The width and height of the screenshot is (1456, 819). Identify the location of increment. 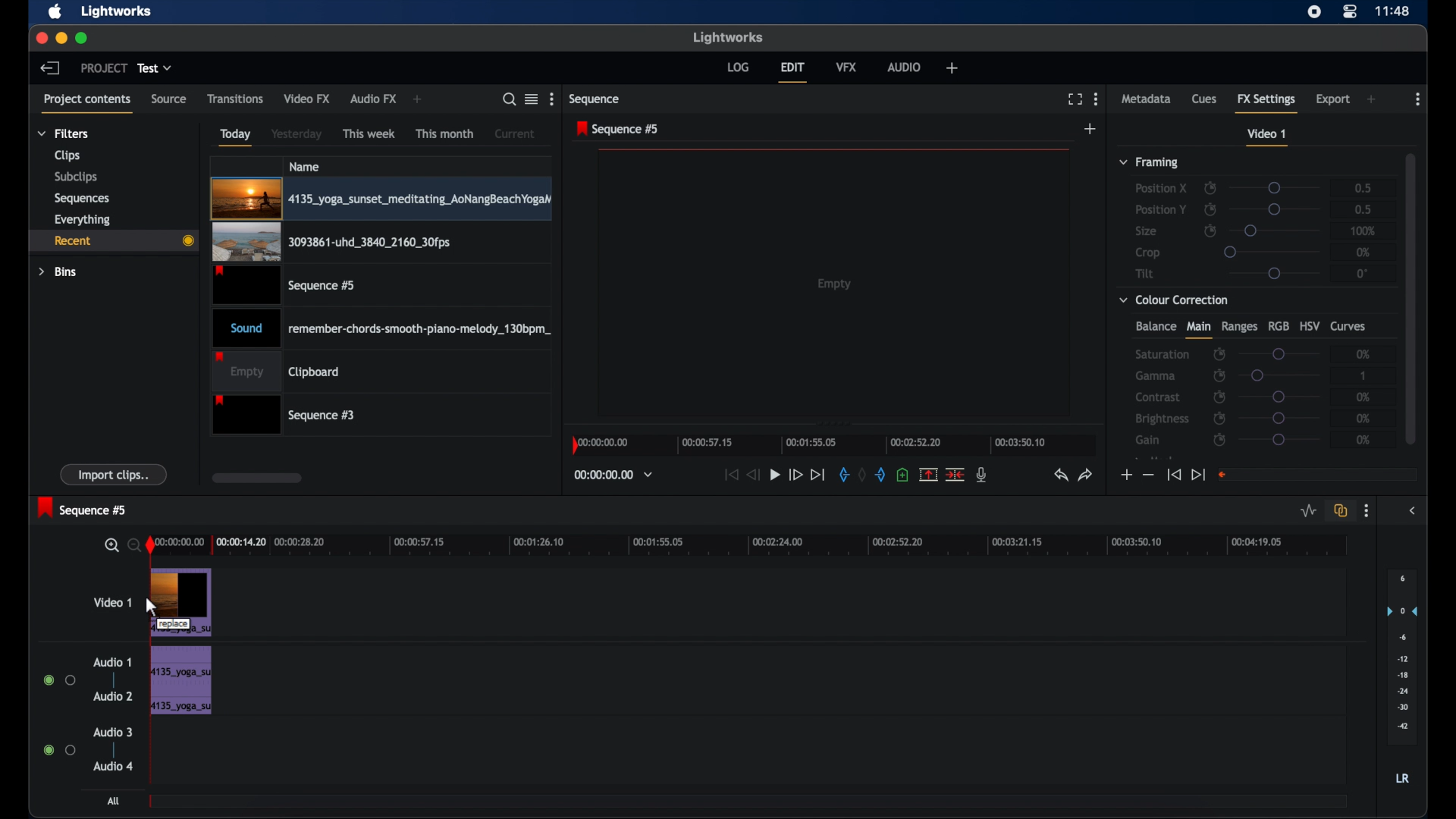
(1125, 475).